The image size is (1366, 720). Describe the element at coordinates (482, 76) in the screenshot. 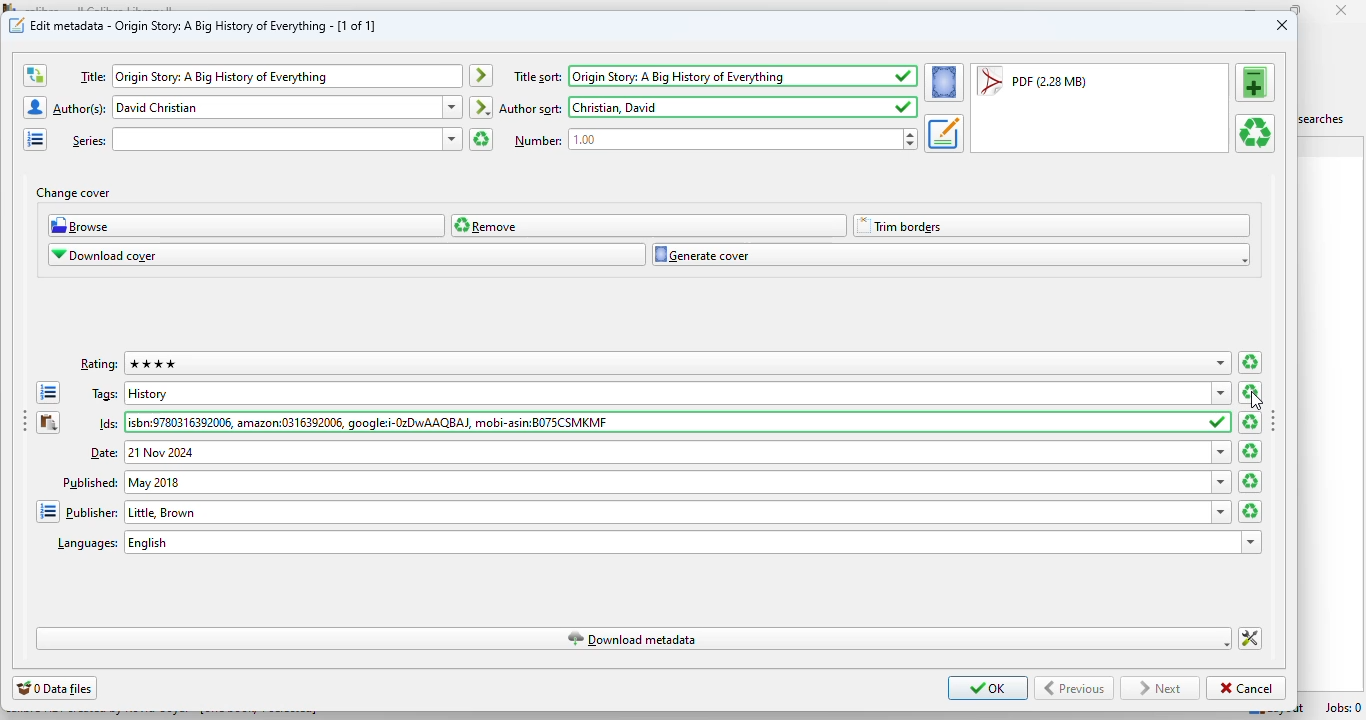

I see `automatically create the title sort entry based on the current title entry` at that location.